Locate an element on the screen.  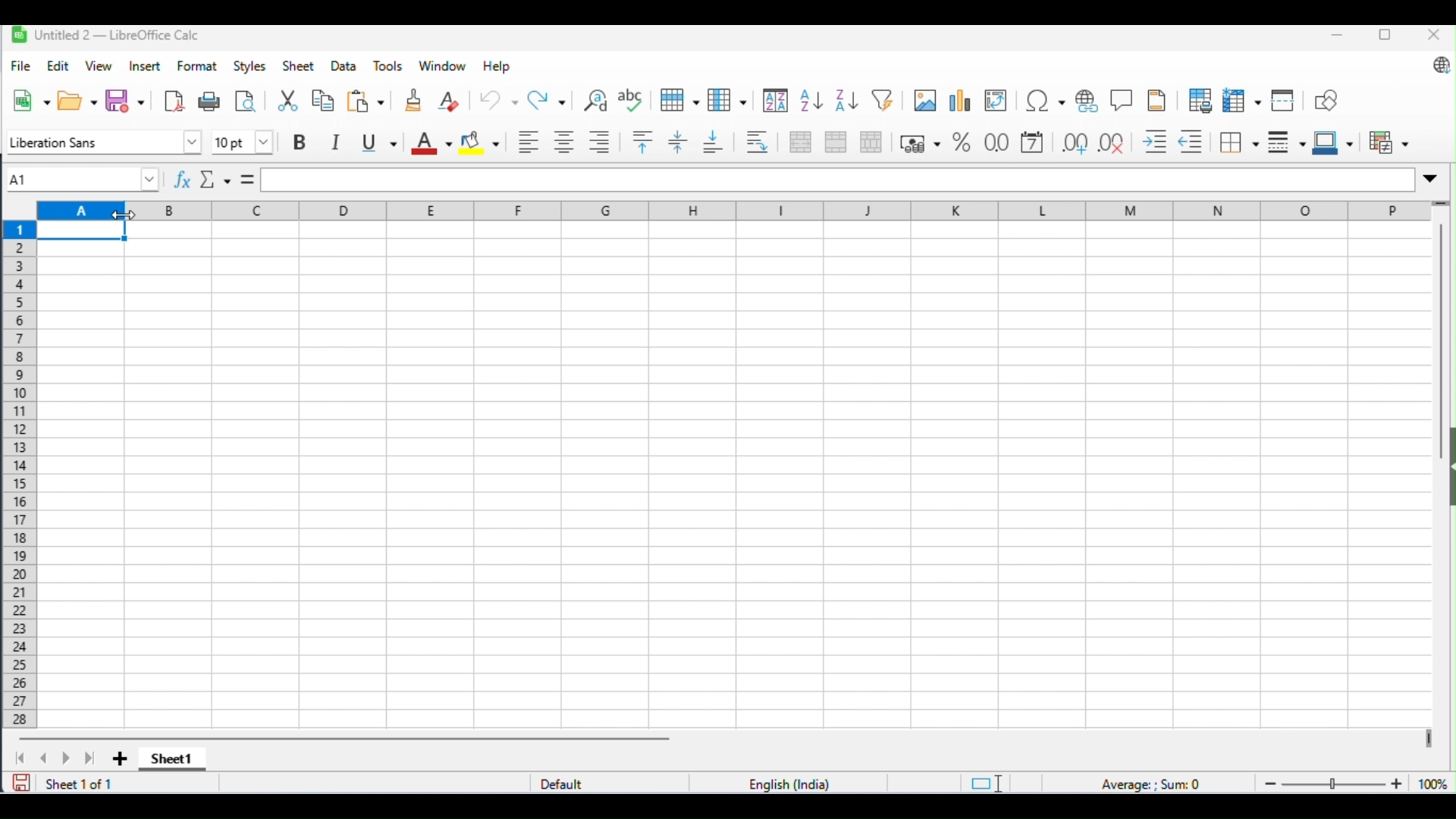
horizontal scroll bar is located at coordinates (350, 739).